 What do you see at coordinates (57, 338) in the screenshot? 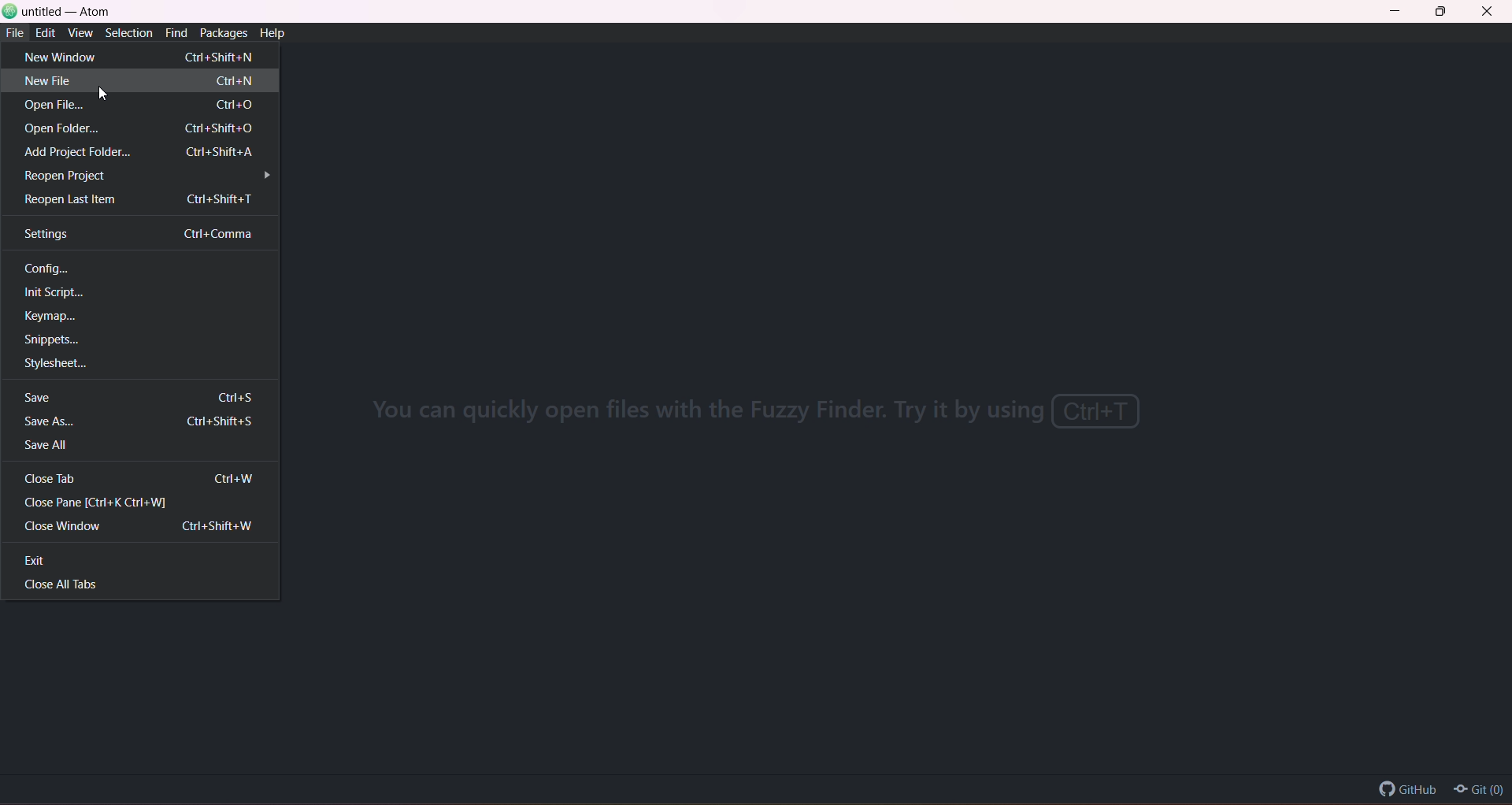
I see `Snippets...` at bounding box center [57, 338].